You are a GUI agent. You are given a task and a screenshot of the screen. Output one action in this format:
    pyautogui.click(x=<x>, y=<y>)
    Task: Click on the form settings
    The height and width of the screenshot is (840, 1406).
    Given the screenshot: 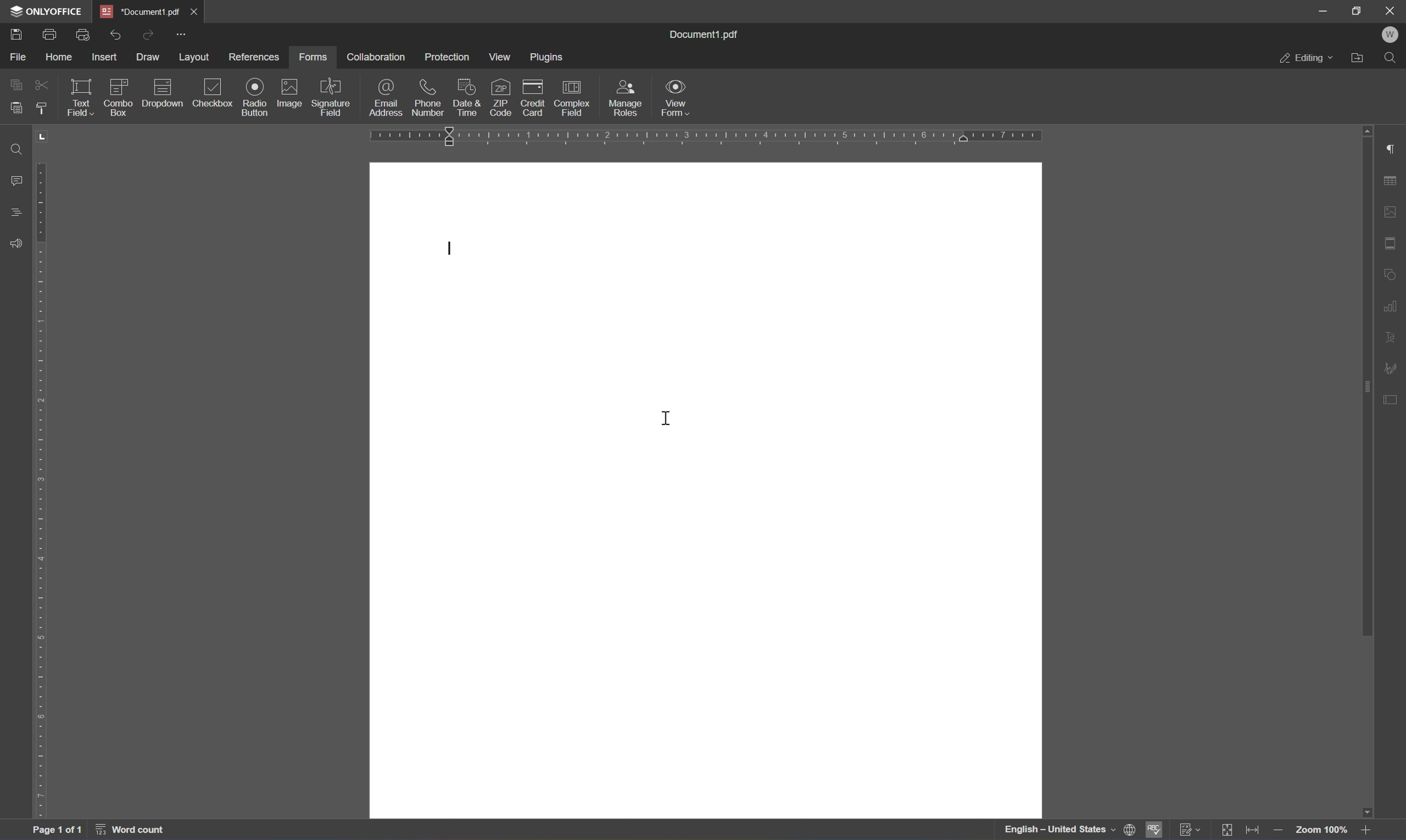 What is the action you would take?
    pyautogui.click(x=1394, y=398)
    